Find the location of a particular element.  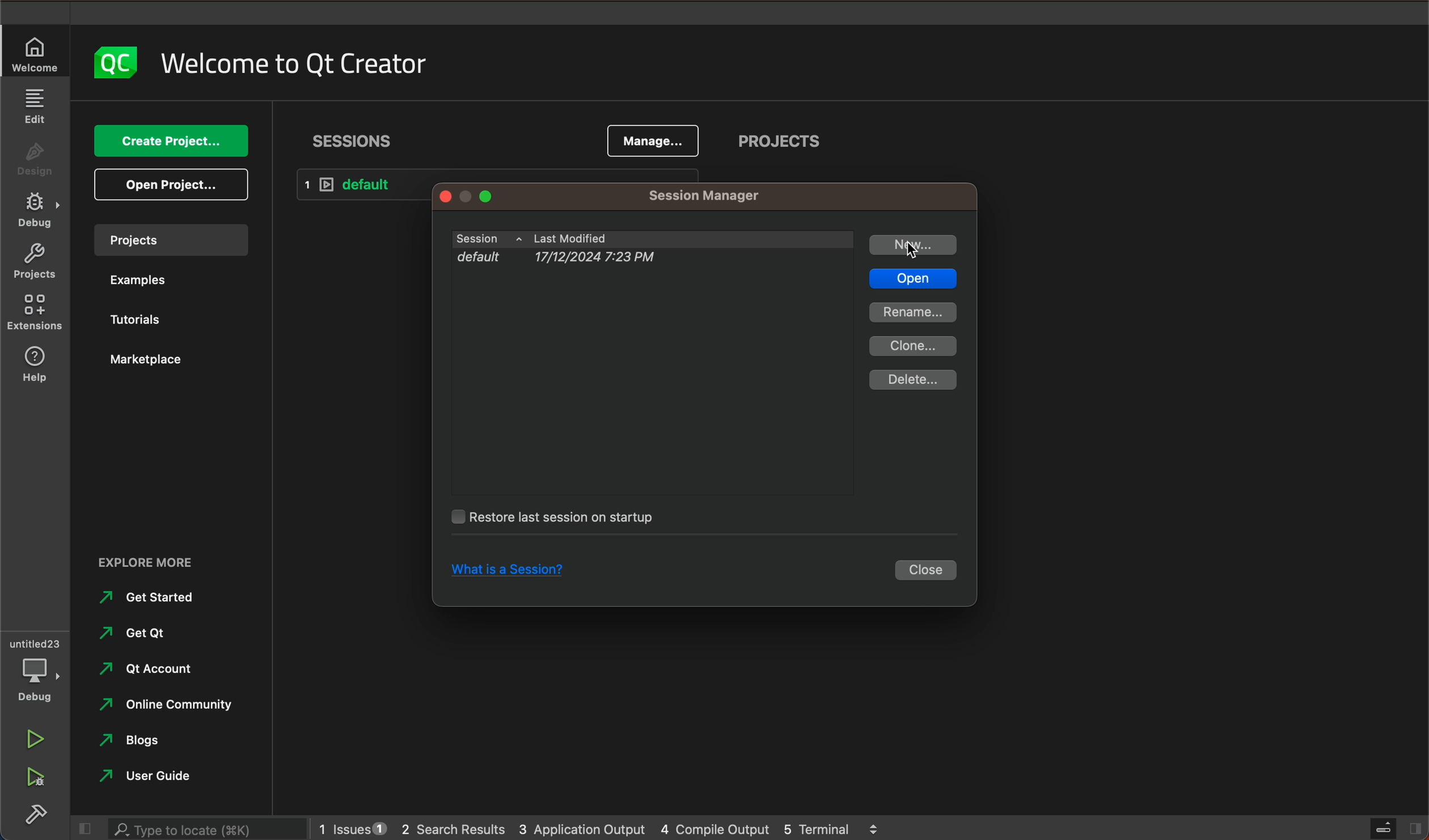

close is located at coordinates (928, 571).